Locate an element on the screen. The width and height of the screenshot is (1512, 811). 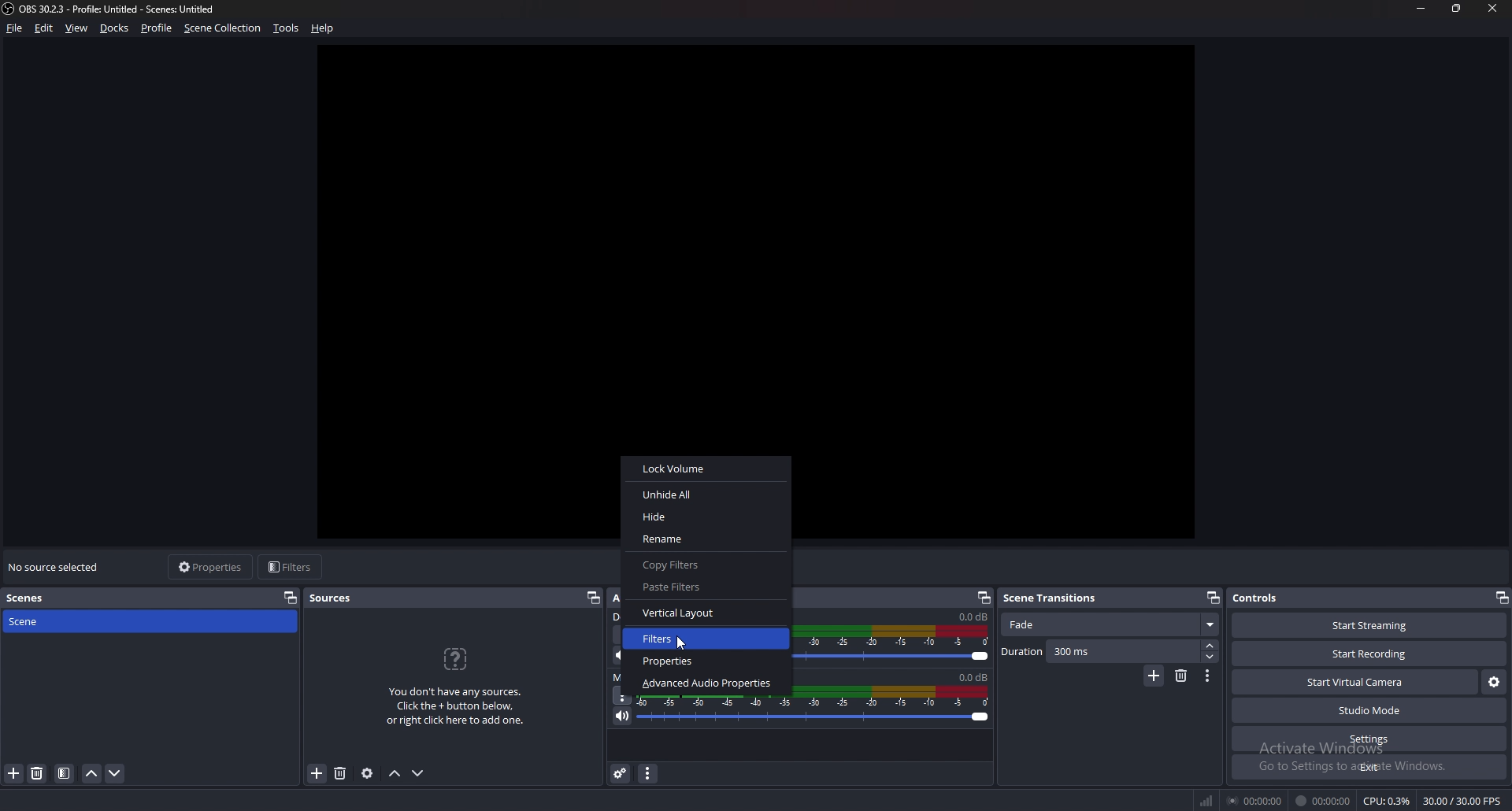
volume is located at coordinates (973, 617).